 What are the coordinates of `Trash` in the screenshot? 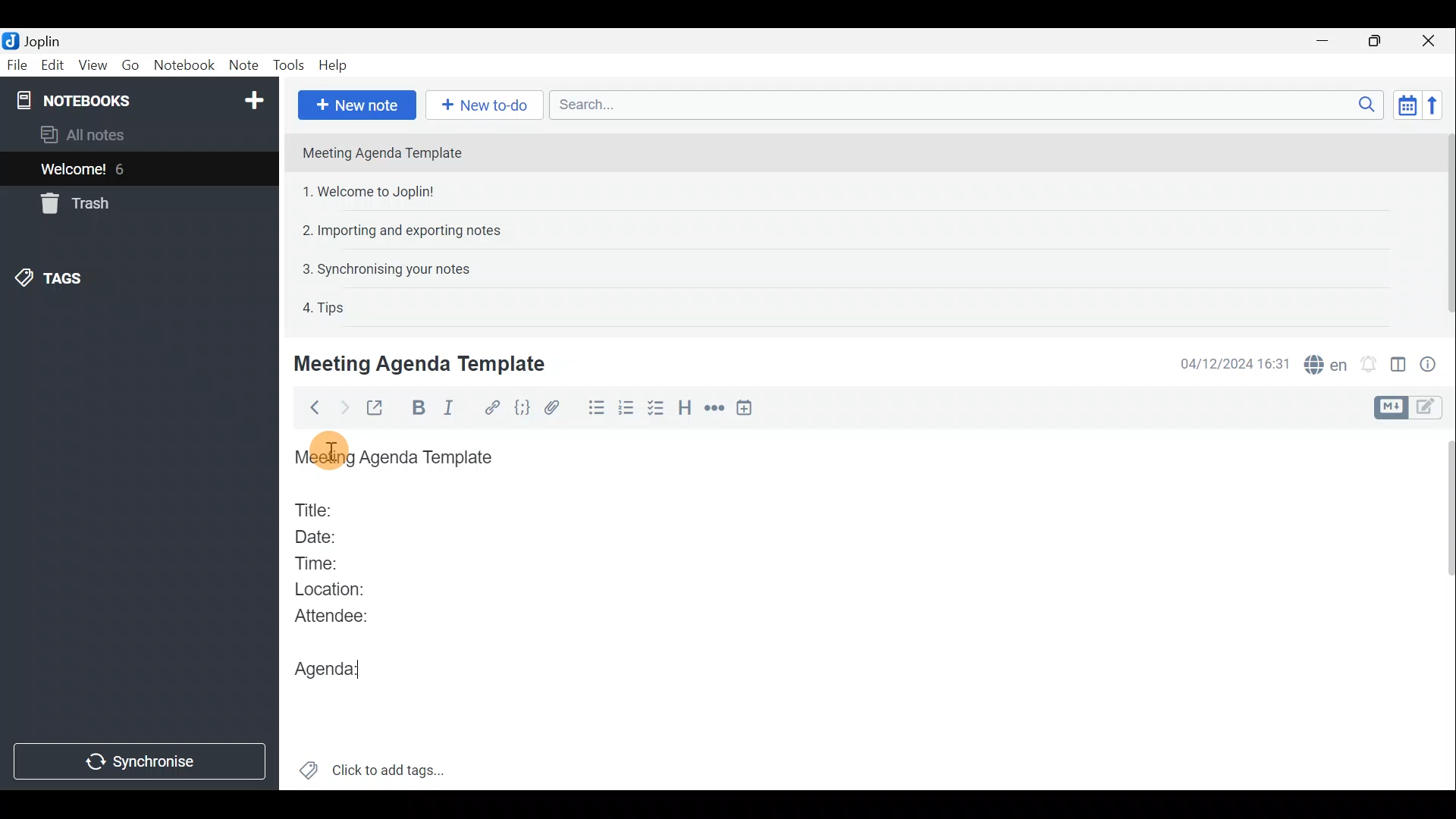 It's located at (72, 203).